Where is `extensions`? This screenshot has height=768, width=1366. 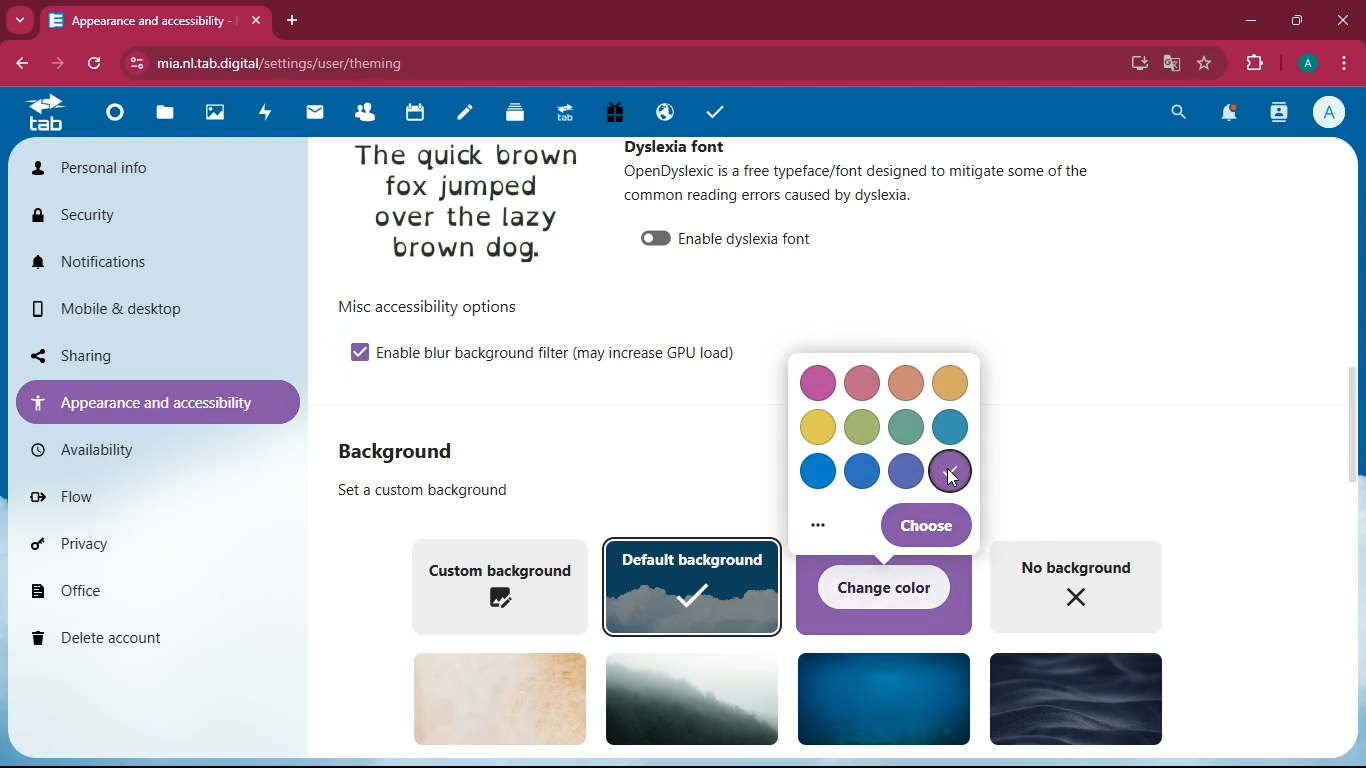
extensions is located at coordinates (1256, 61).